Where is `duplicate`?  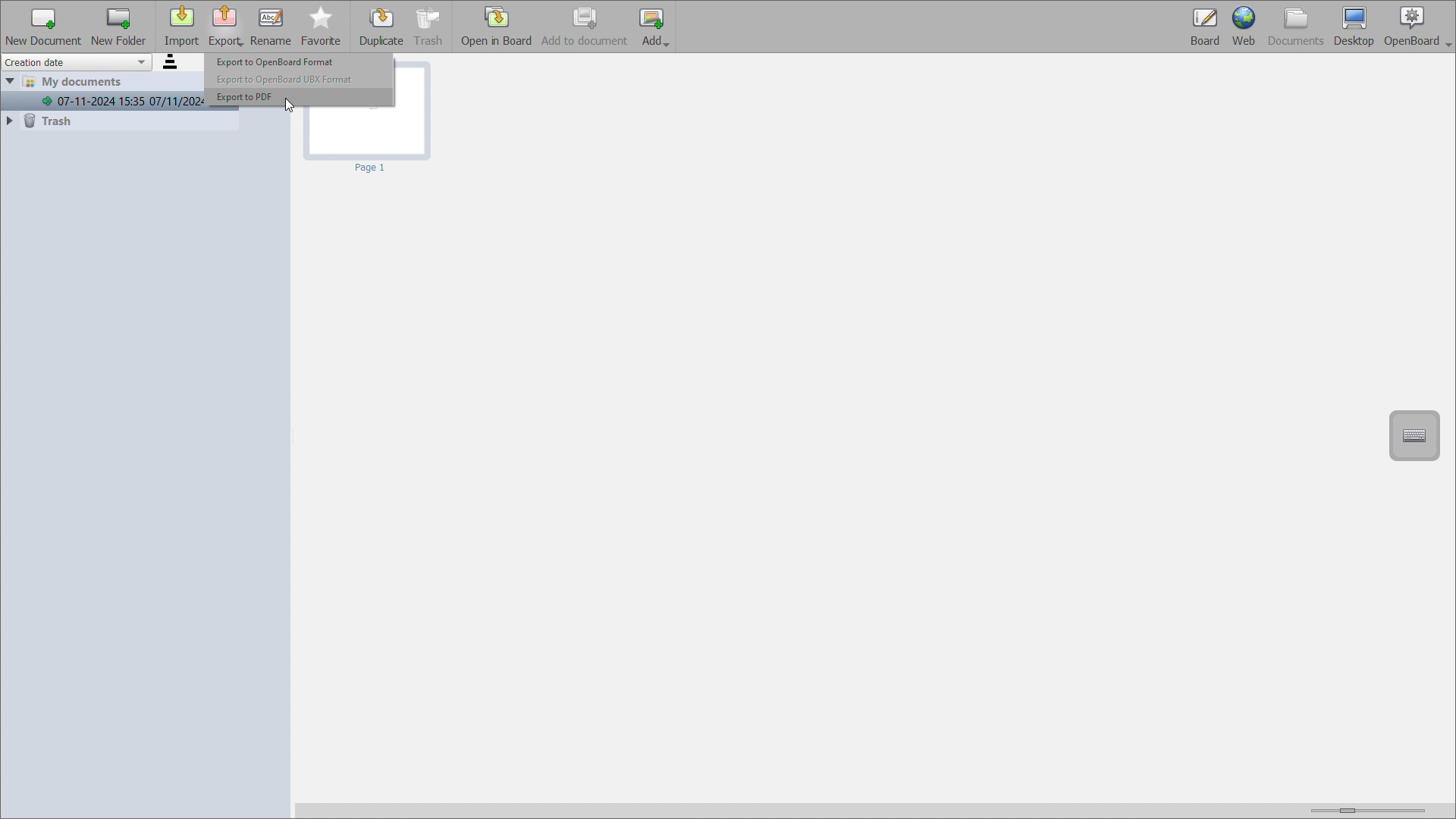
duplicate is located at coordinates (382, 27).